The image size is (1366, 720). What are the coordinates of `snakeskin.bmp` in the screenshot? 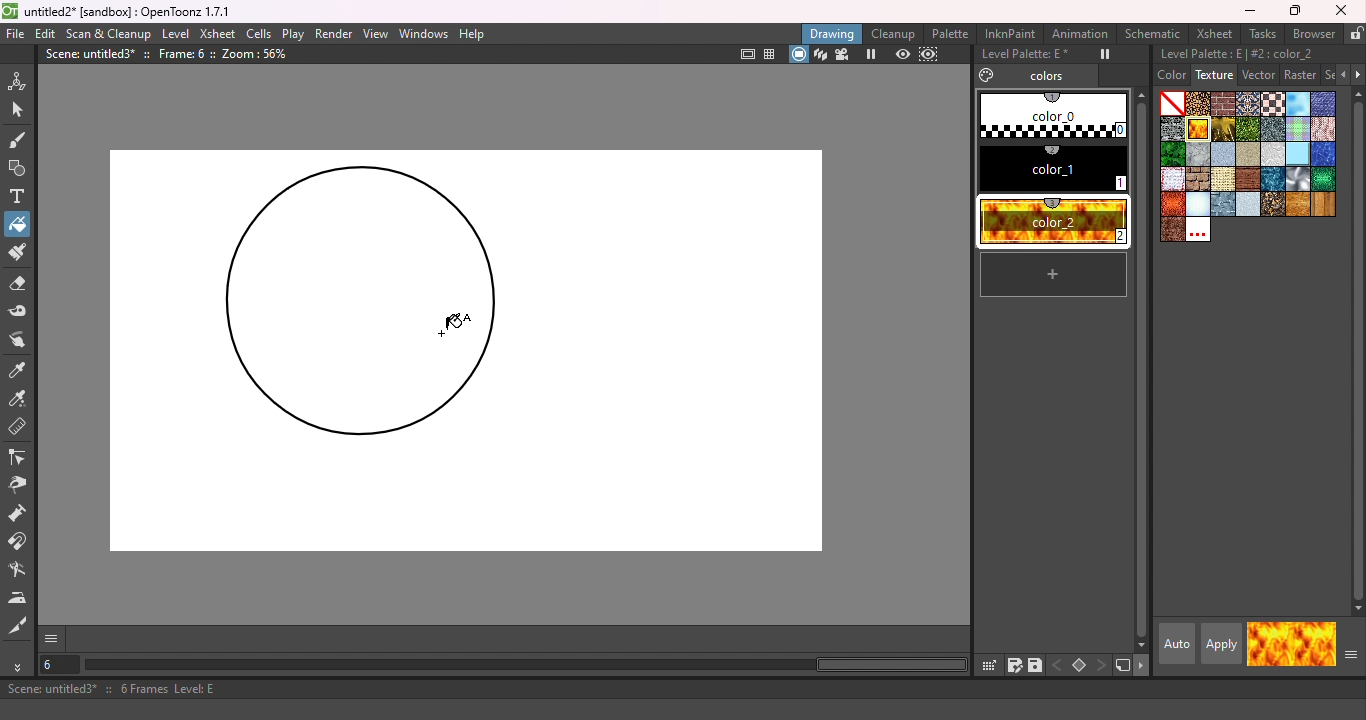 It's located at (1323, 179).